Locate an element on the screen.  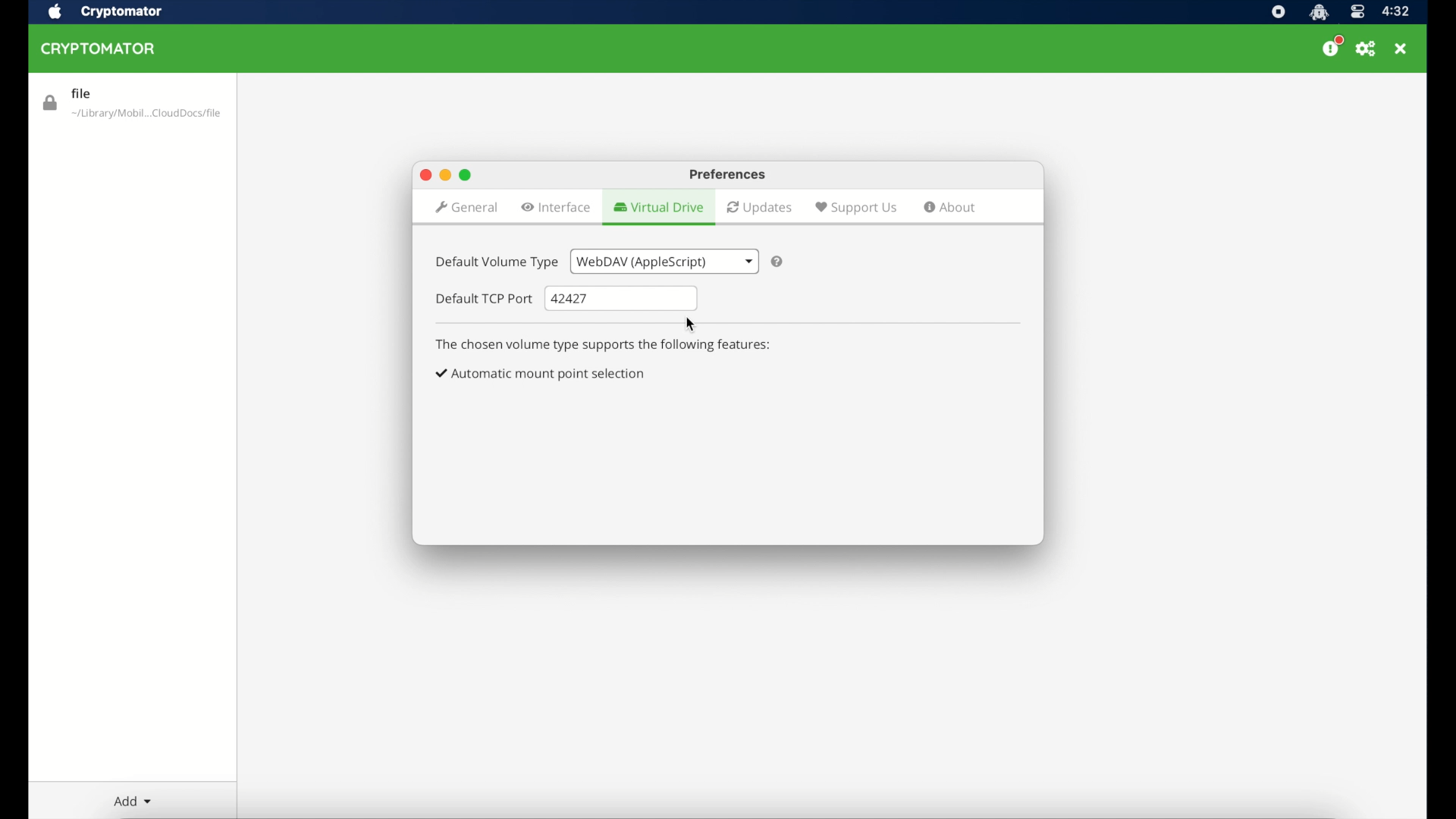
updates is located at coordinates (760, 208).